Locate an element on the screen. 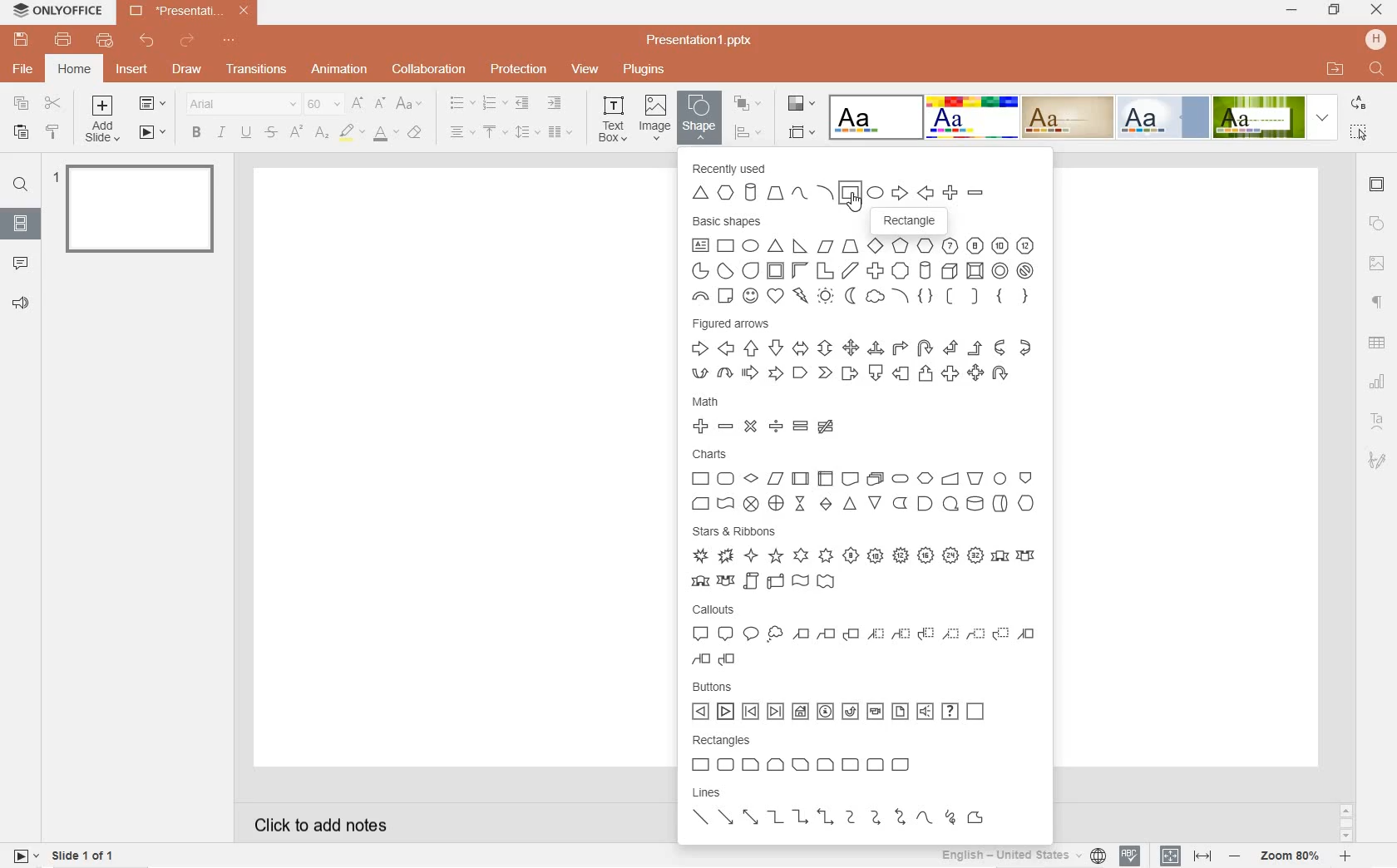  insert is located at coordinates (135, 74).